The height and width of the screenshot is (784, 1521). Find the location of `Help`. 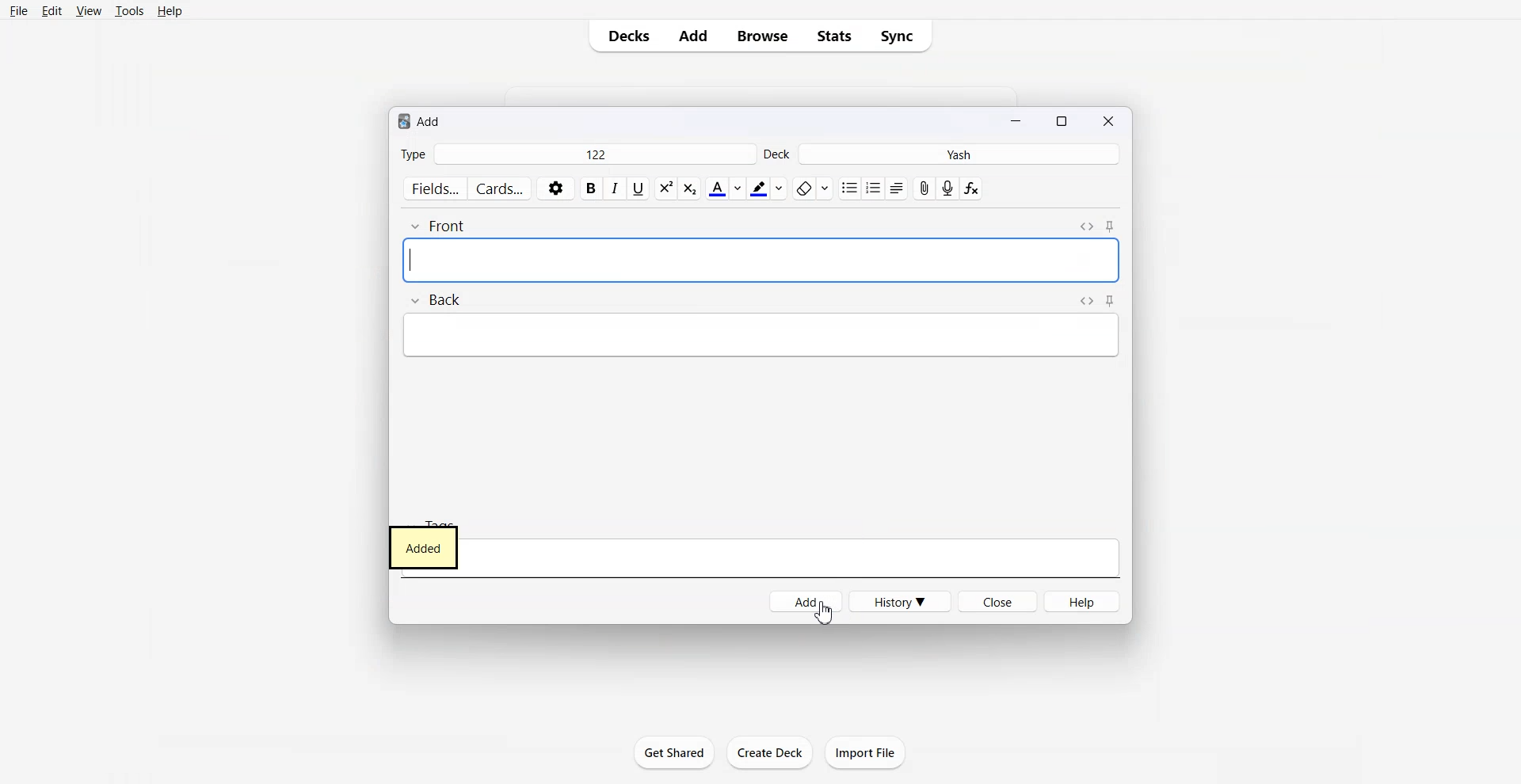

Help is located at coordinates (1083, 602).